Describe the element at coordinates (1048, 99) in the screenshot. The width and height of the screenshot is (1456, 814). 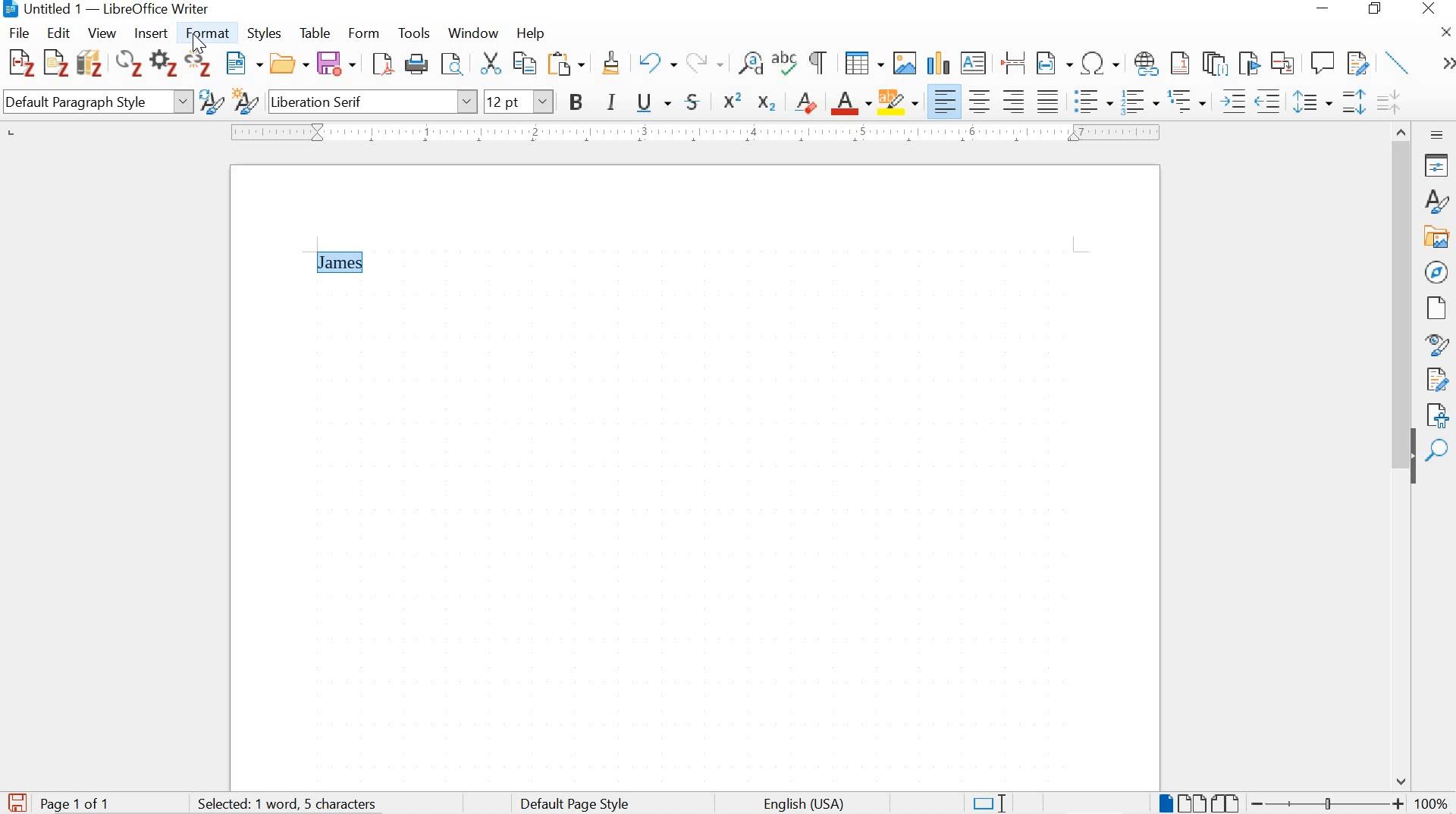
I see `justified` at that location.